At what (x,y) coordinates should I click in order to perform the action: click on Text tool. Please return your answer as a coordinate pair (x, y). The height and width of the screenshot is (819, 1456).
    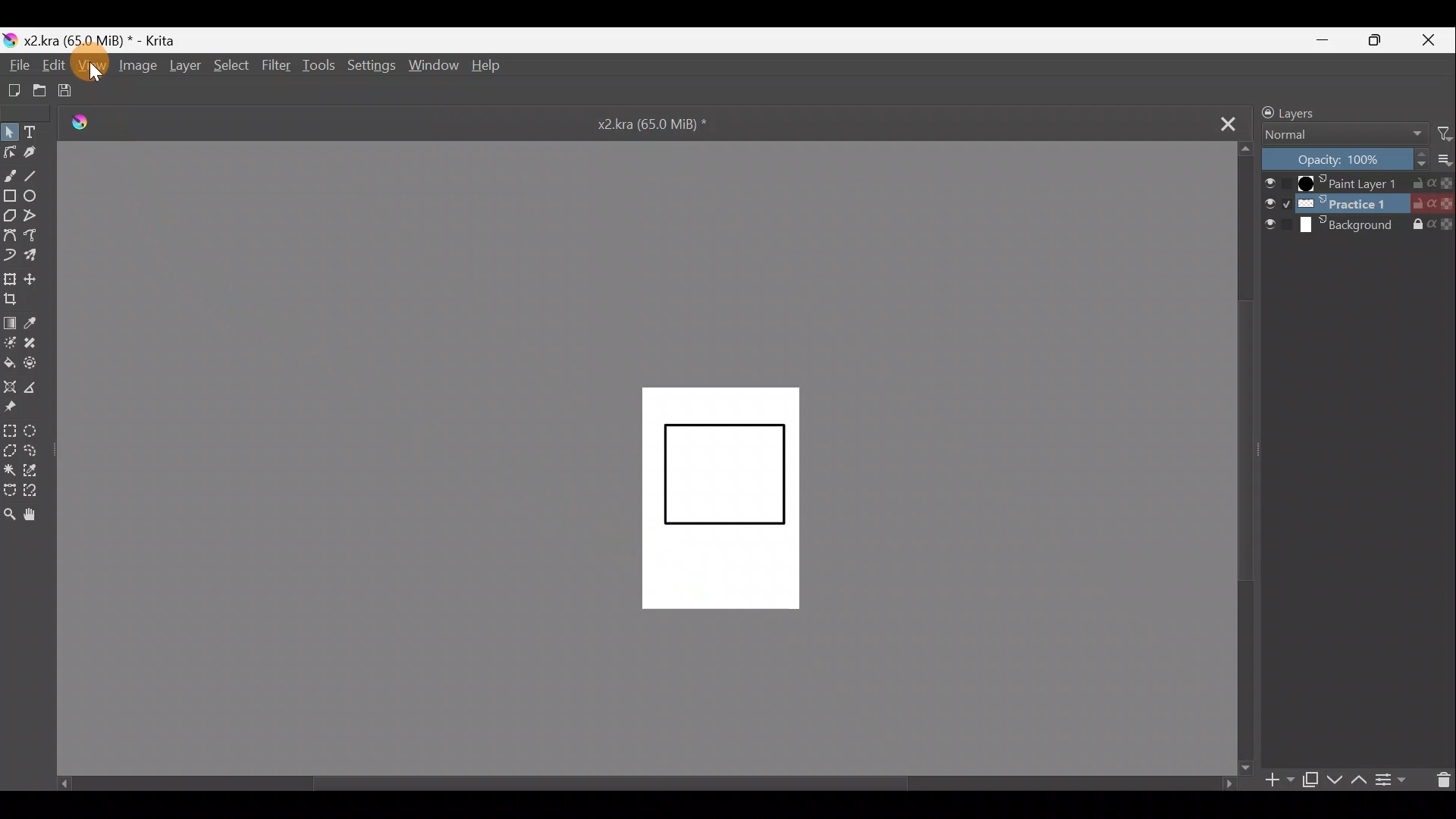
    Looking at the image, I should click on (37, 130).